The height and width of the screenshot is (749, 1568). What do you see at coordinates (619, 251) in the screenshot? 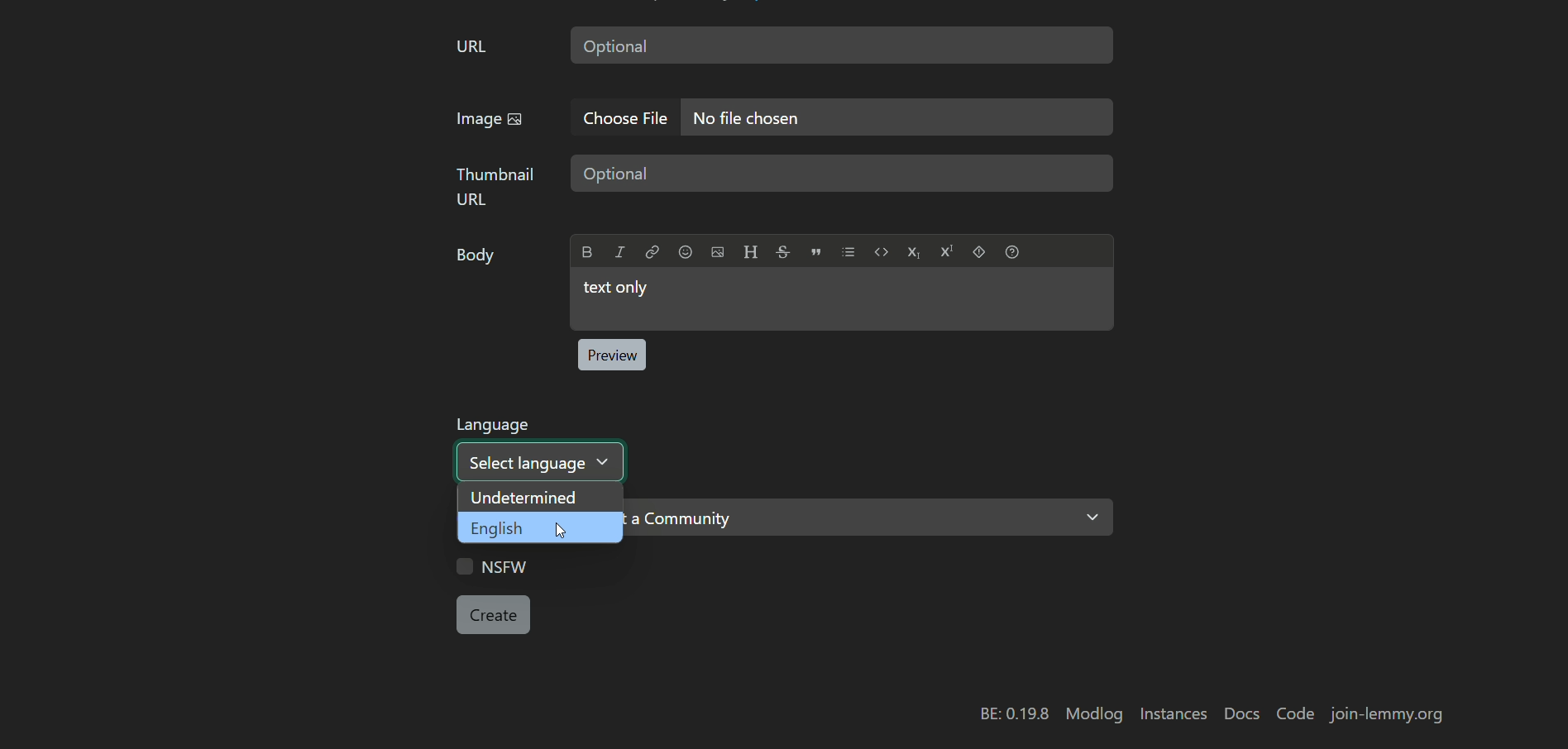
I see `Italic` at bounding box center [619, 251].